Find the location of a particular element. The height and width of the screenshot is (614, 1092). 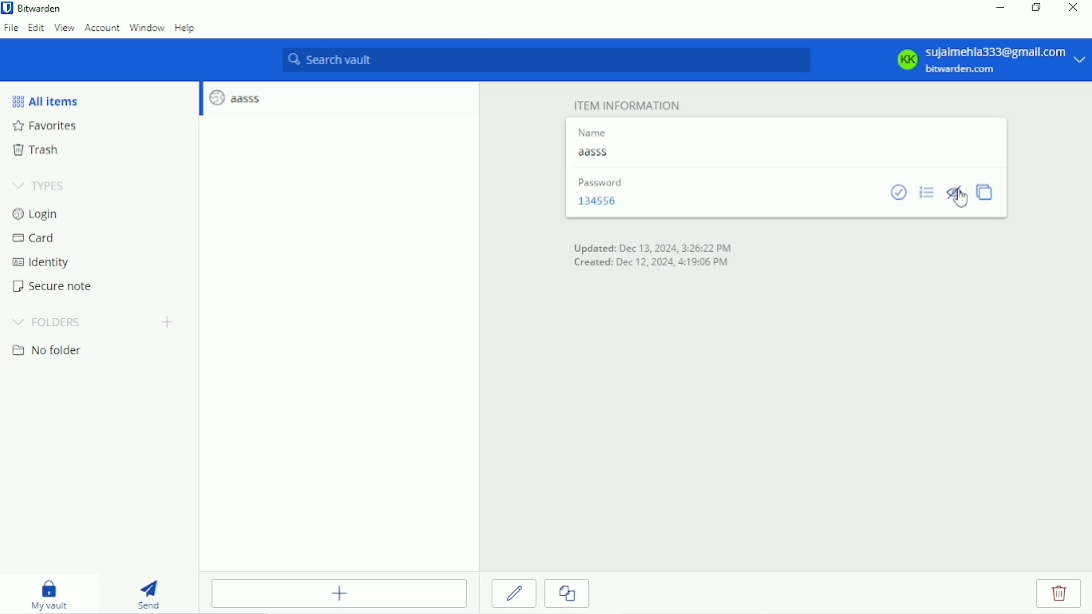

Help is located at coordinates (185, 29).